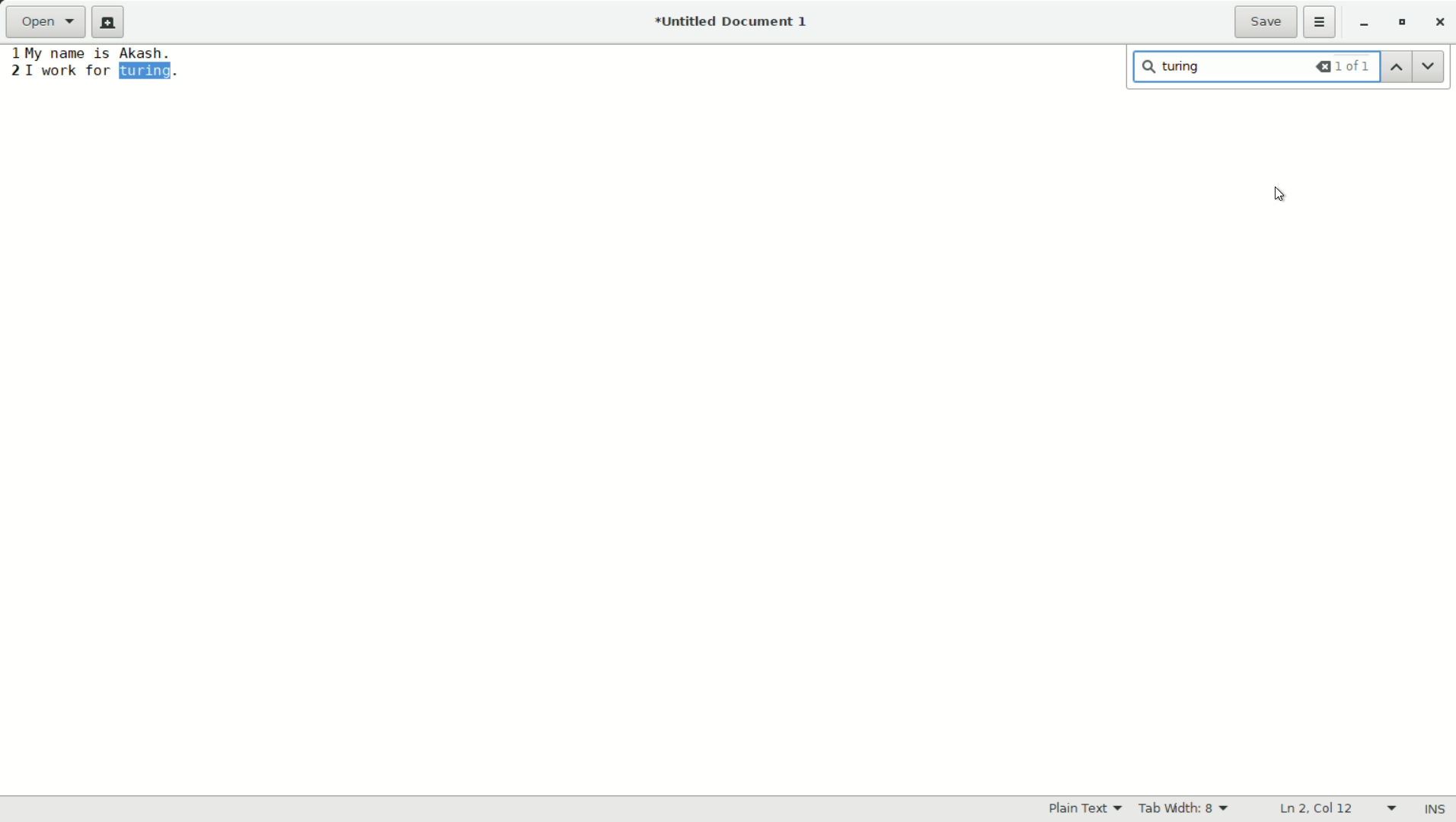 This screenshot has width=1456, height=822. Describe the element at coordinates (1432, 808) in the screenshot. I see `ins` at that location.